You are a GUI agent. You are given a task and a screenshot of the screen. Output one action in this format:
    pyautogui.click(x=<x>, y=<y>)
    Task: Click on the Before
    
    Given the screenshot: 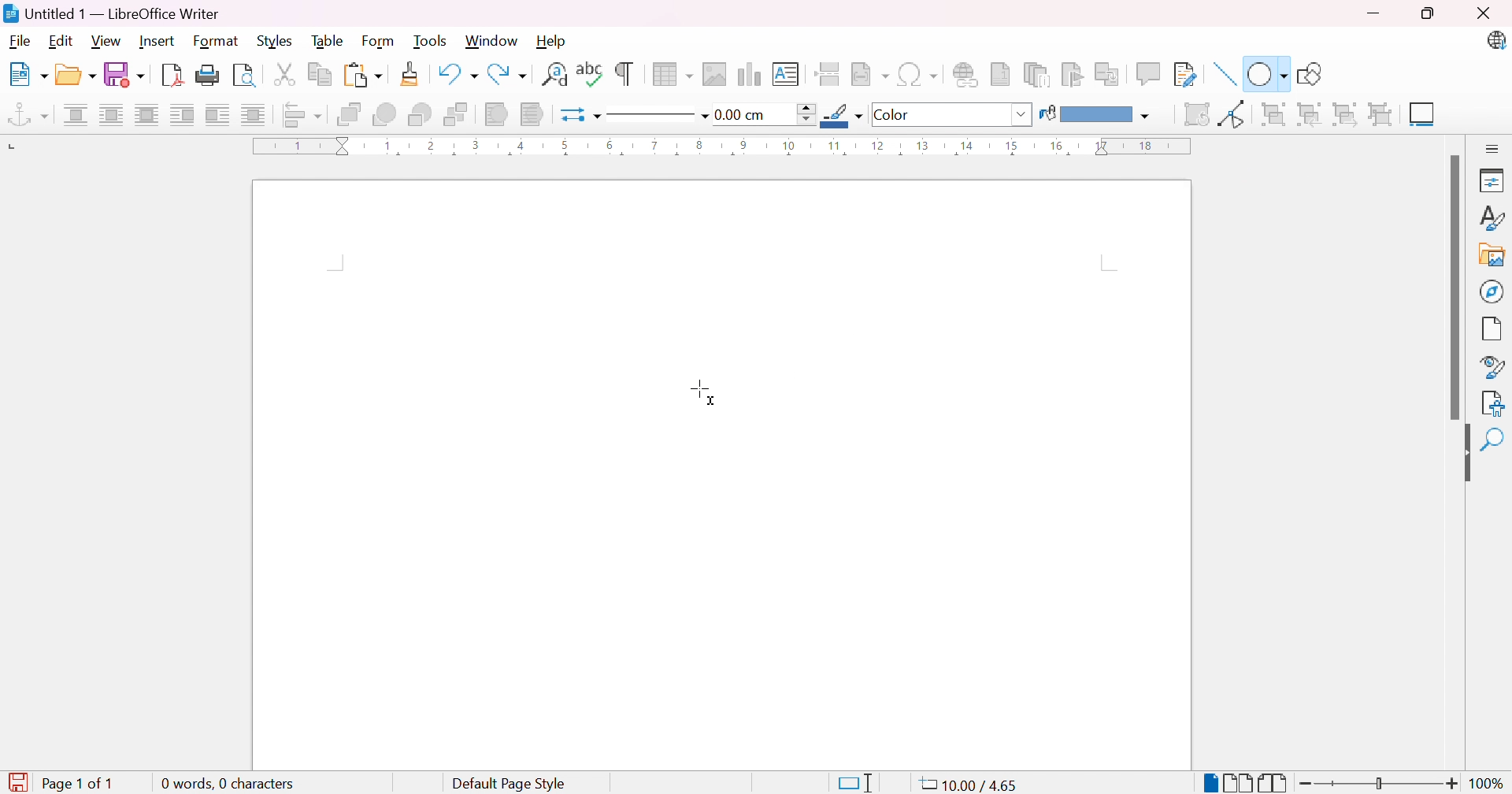 What is the action you would take?
    pyautogui.click(x=182, y=114)
    